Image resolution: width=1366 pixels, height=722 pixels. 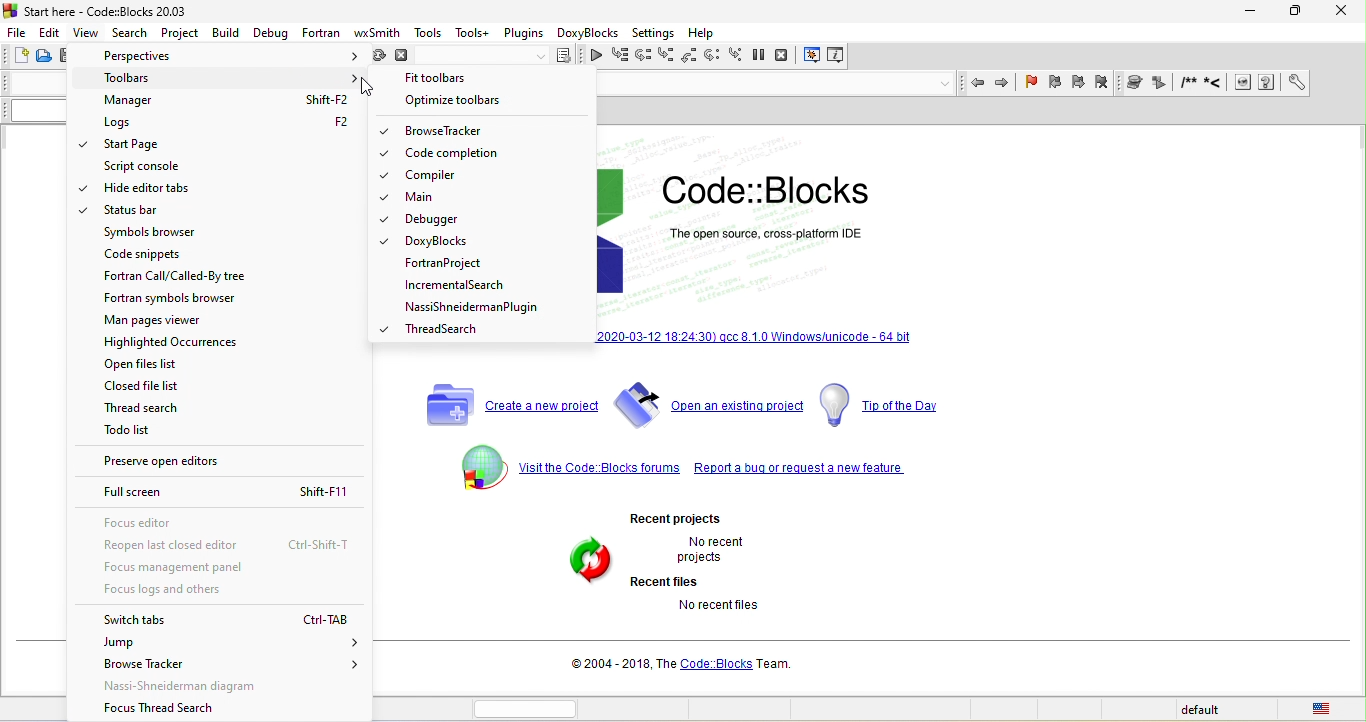 What do you see at coordinates (229, 75) in the screenshot?
I see `toolbars` at bounding box center [229, 75].